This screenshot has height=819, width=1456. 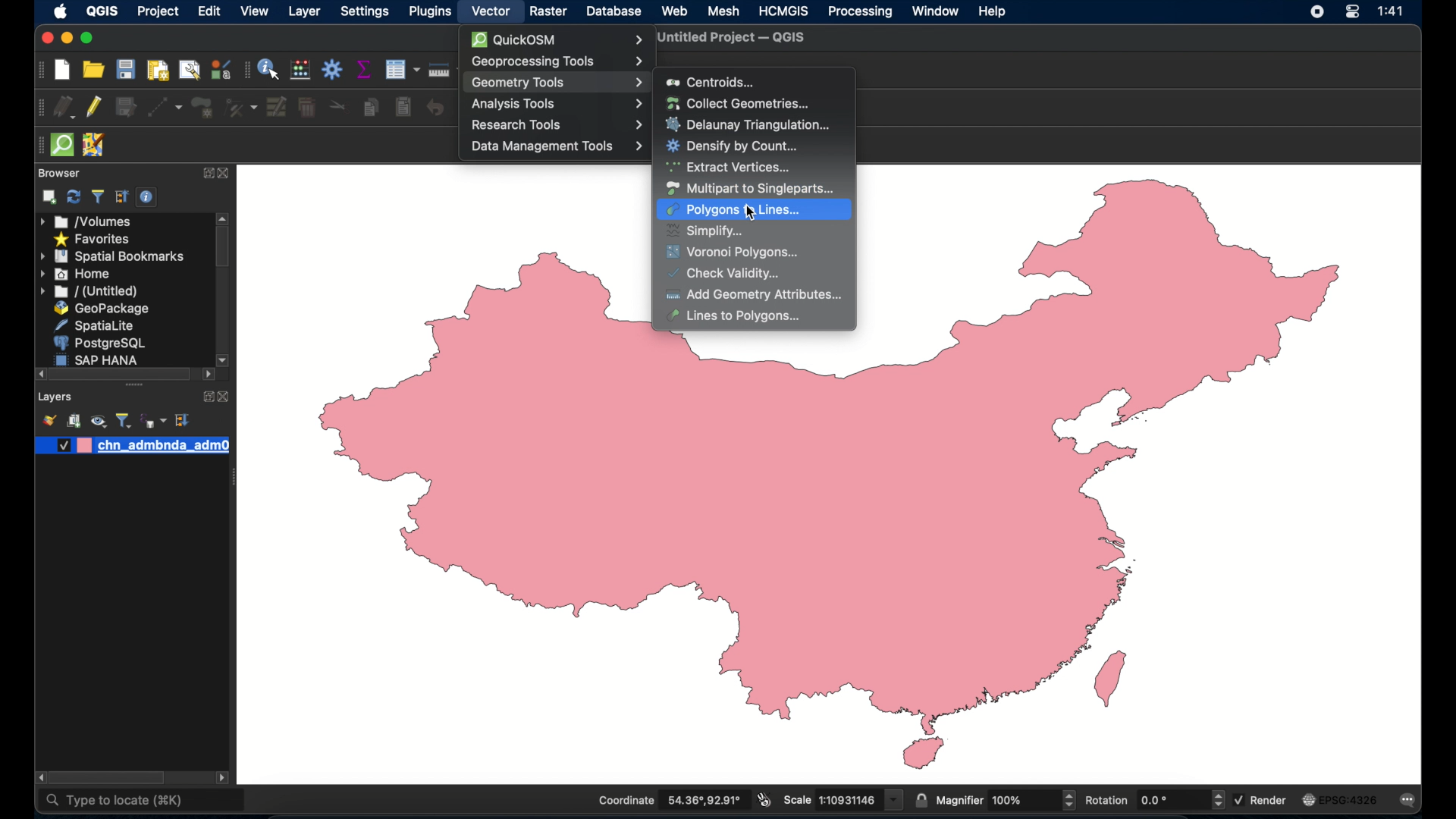 What do you see at coordinates (742, 316) in the screenshot?
I see `lines to polygons` at bounding box center [742, 316].